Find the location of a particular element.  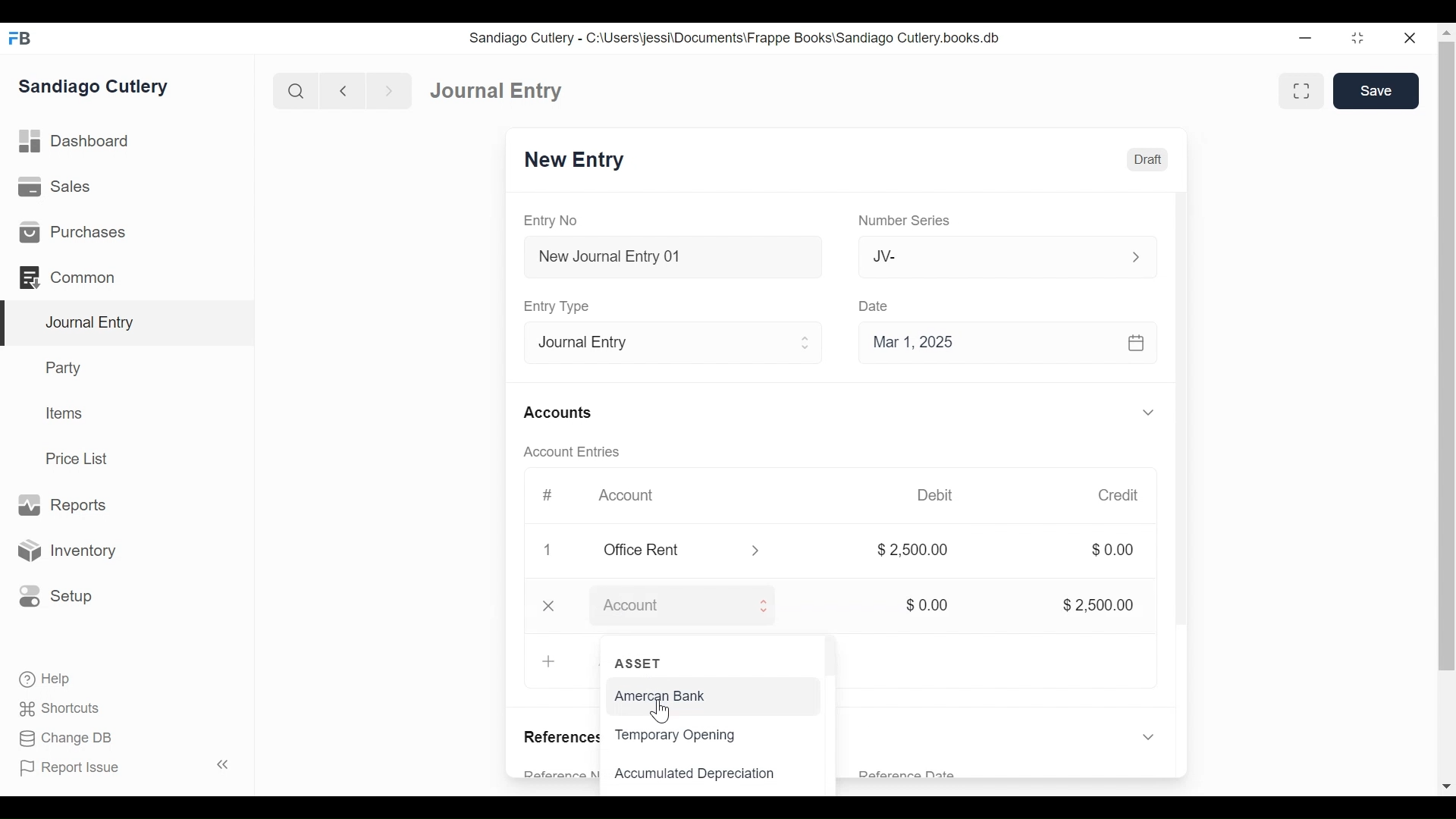

toggle between form and full width is located at coordinates (1294, 93).